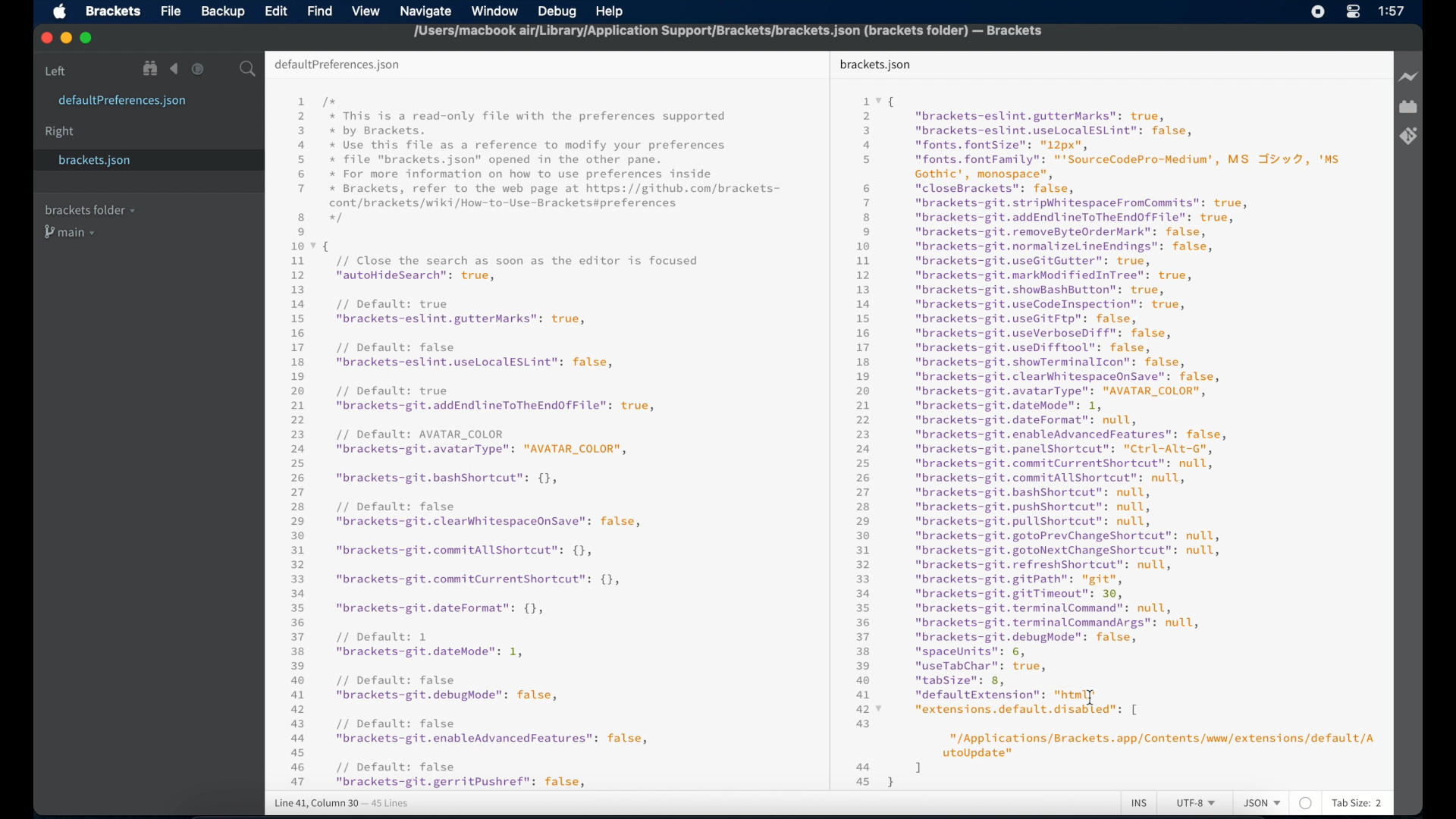 This screenshot has height=819, width=1456. Describe the element at coordinates (727, 32) in the screenshot. I see `[Users/macbook air/Library/Application Support/Brackets/brackets.json (brackets folder) — Brackets` at that location.